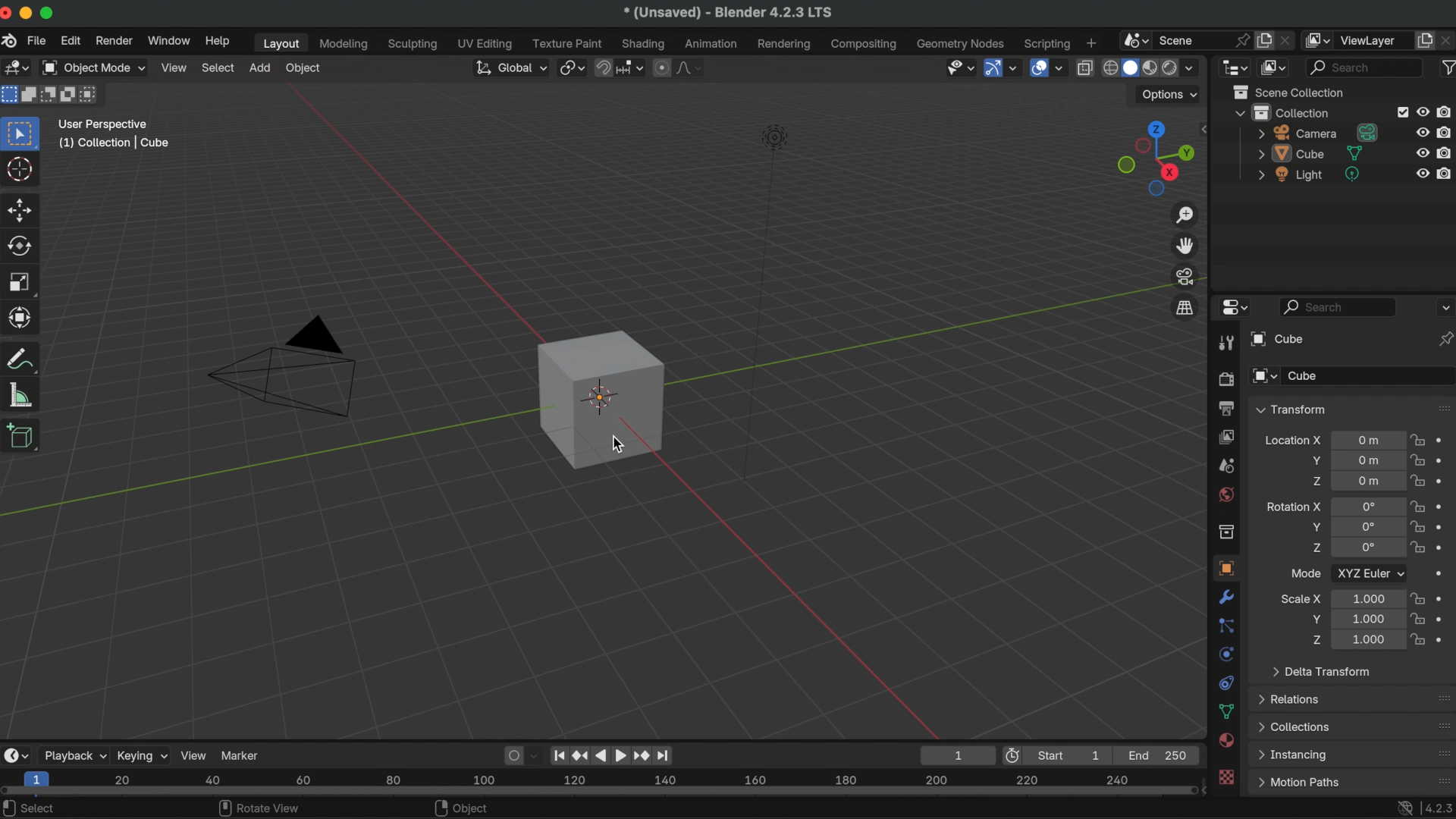 The height and width of the screenshot is (819, 1456). I want to click on Euler rotation, so click(1367, 507).